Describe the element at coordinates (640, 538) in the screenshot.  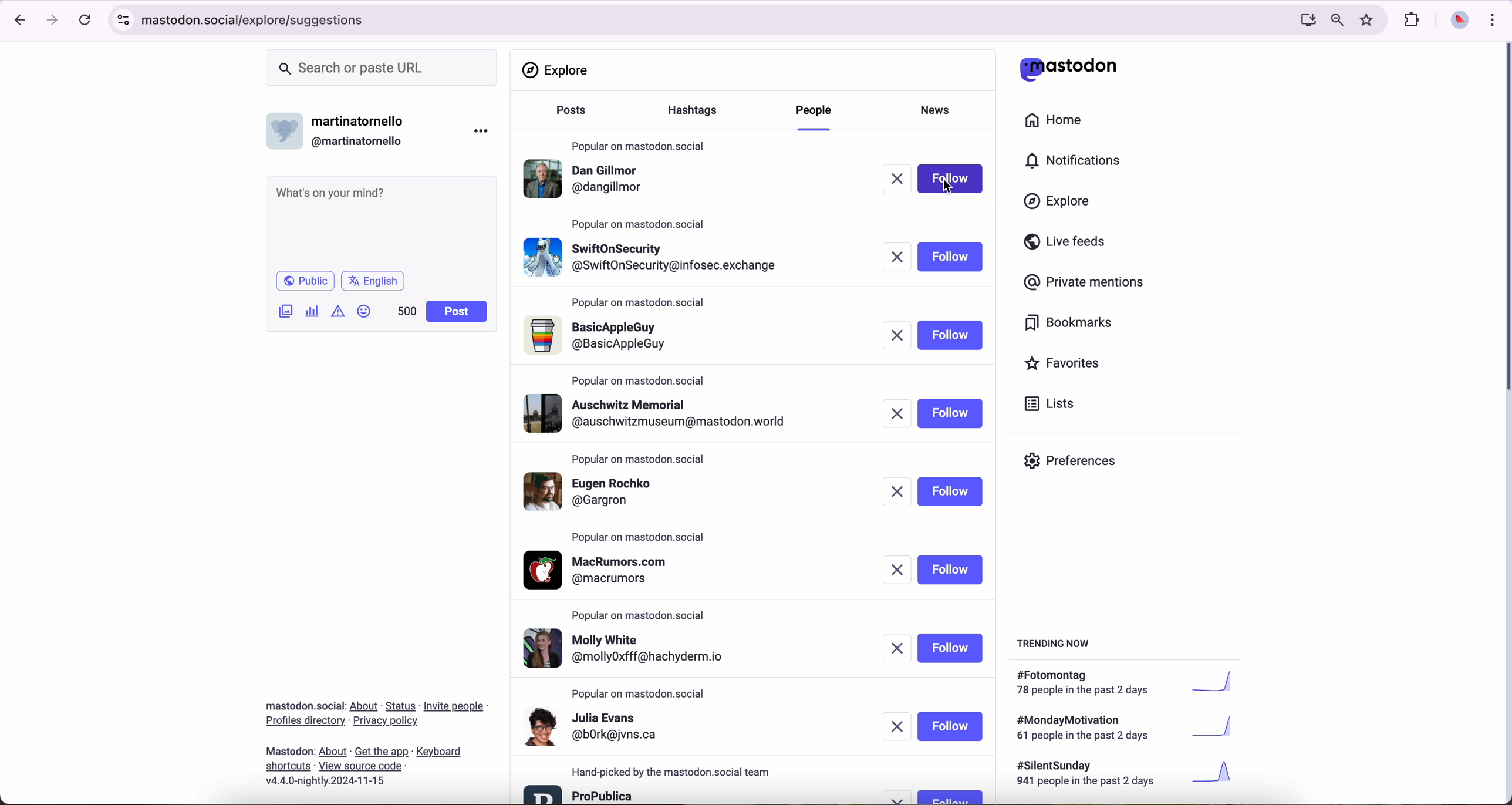
I see `popular on mastodon.social` at that location.